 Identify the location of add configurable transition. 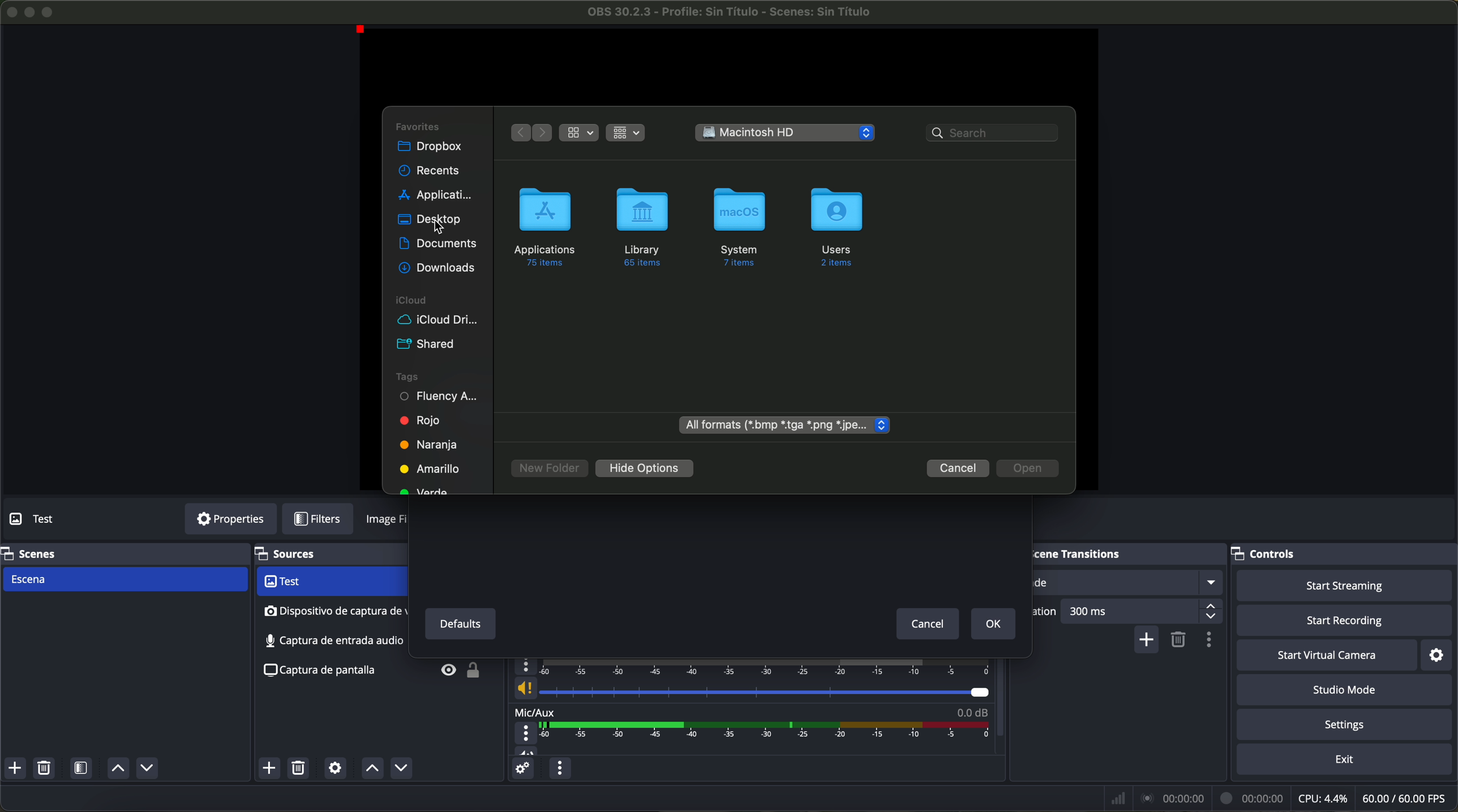
(1147, 641).